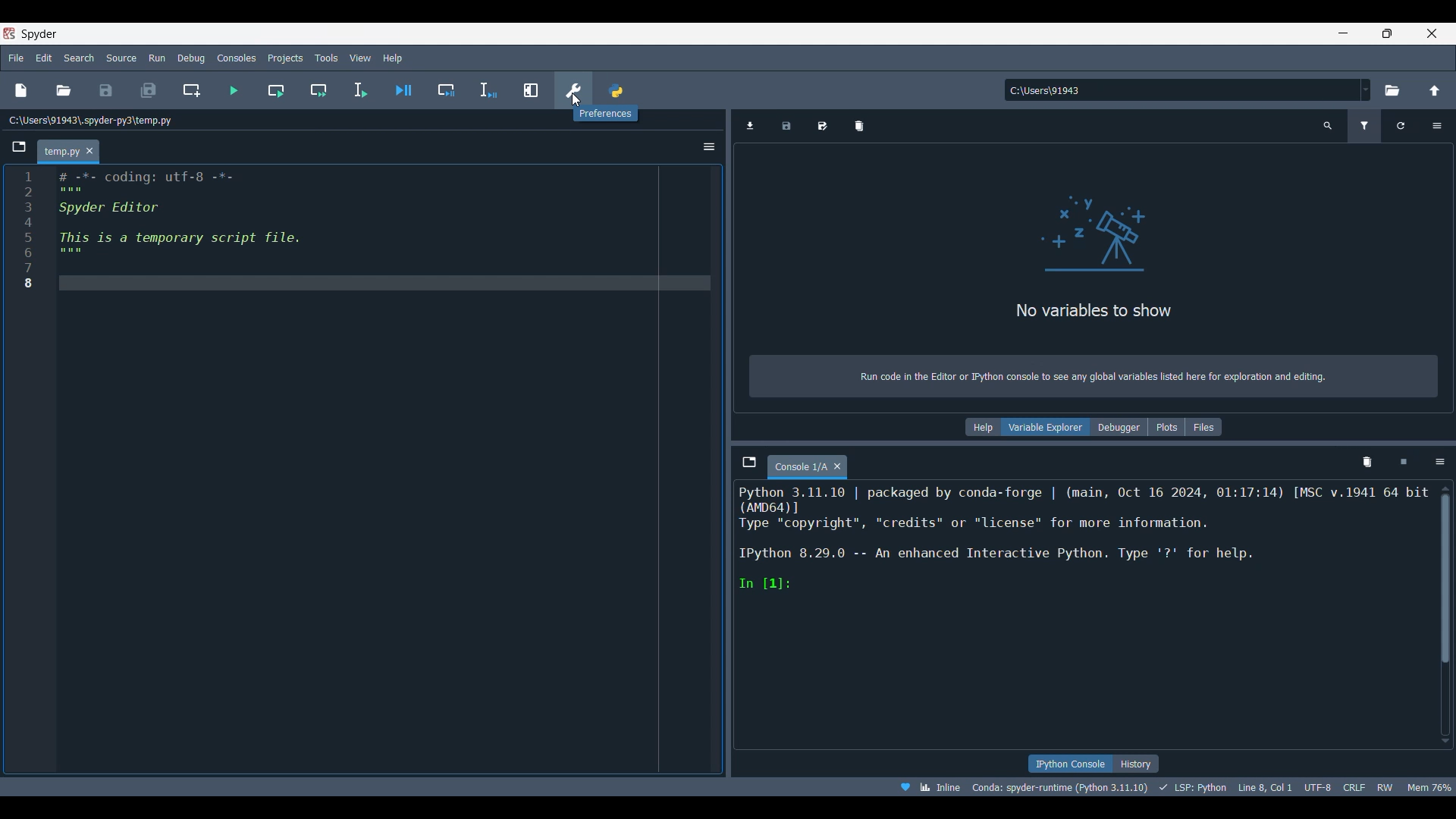 Image resolution: width=1456 pixels, height=819 pixels. Describe the element at coordinates (1401, 126) in the screenshot. I see `Refresh variables` at that location.